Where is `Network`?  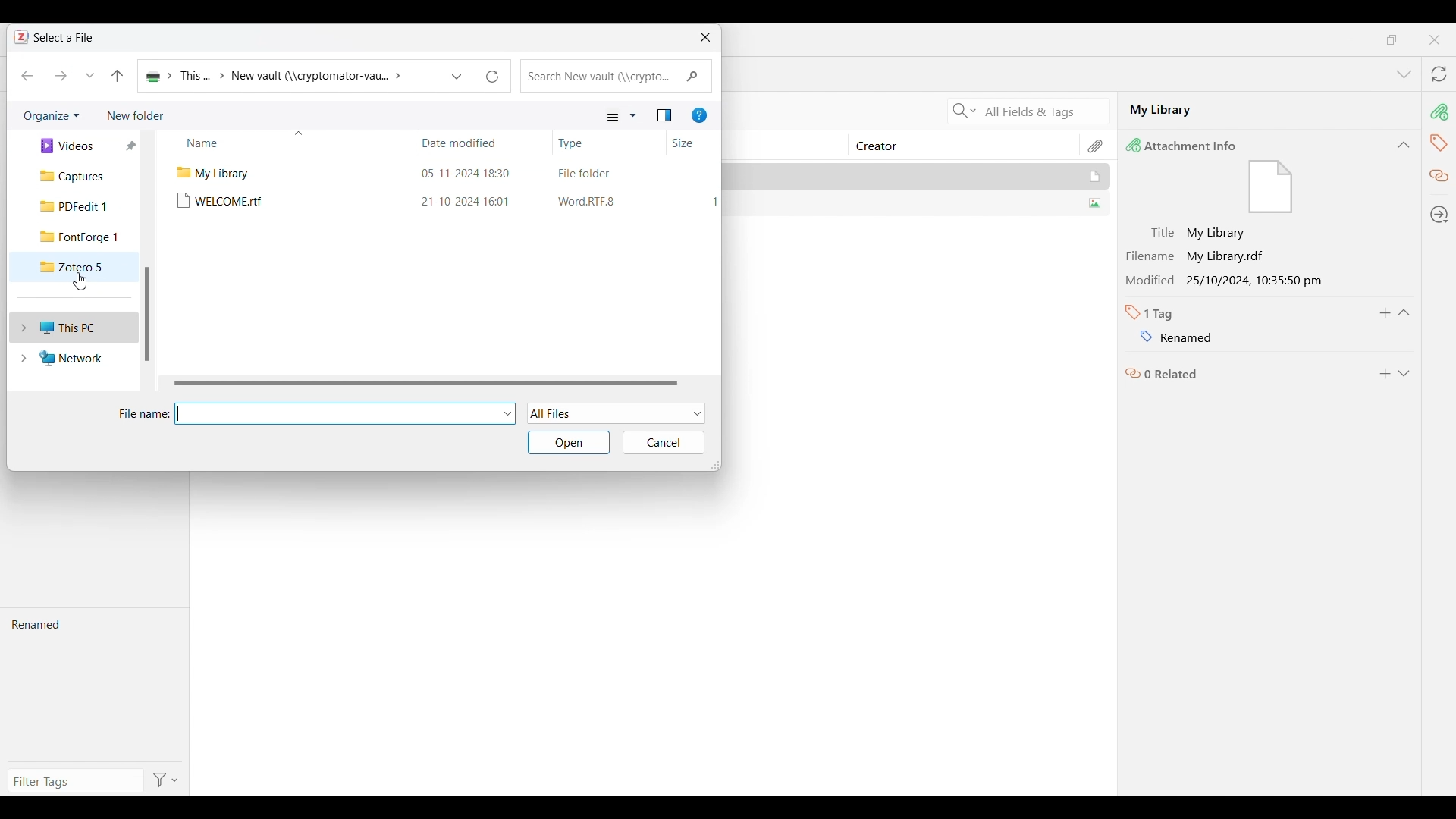
Network is located at coordinates (72, 359).